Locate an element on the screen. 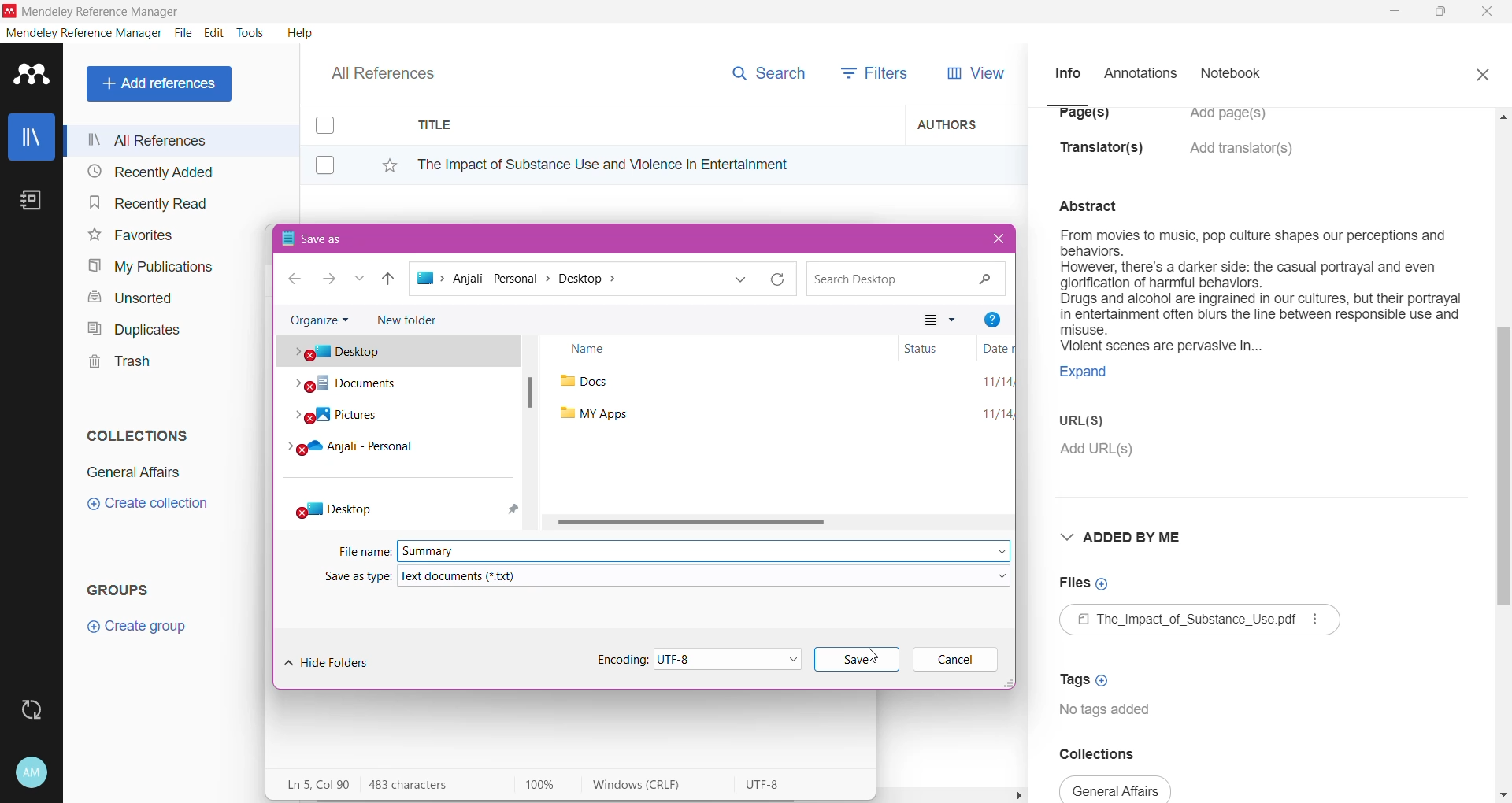 This screenshot has height=803, width=1512. Library is located at coordinates (31, 139).